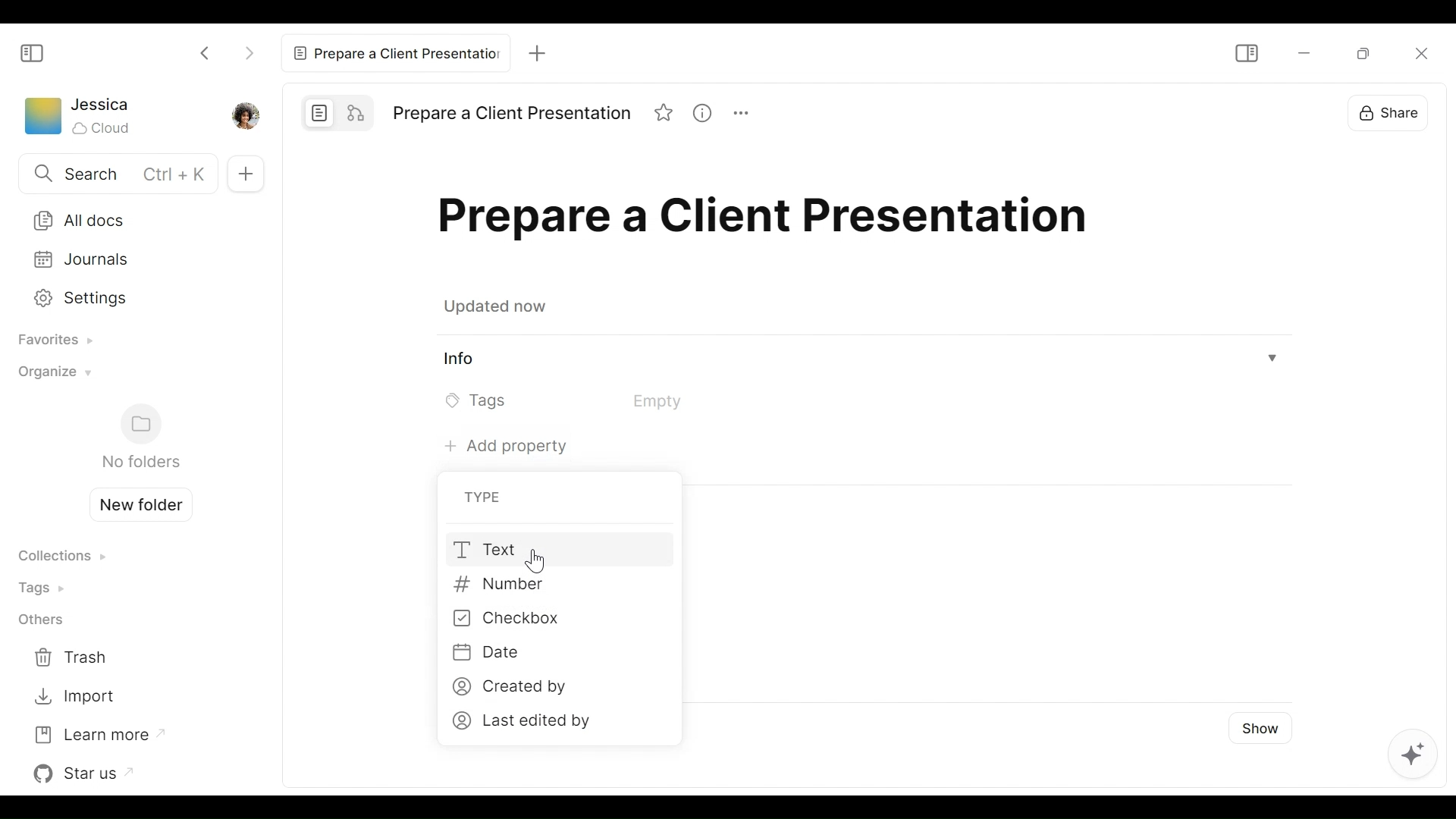 The width and height of the screenshot is (1456, 819). What do you see at coordinates (46, 587) in the screenshot?
I see `Tags` at bounding box center [46, 587].